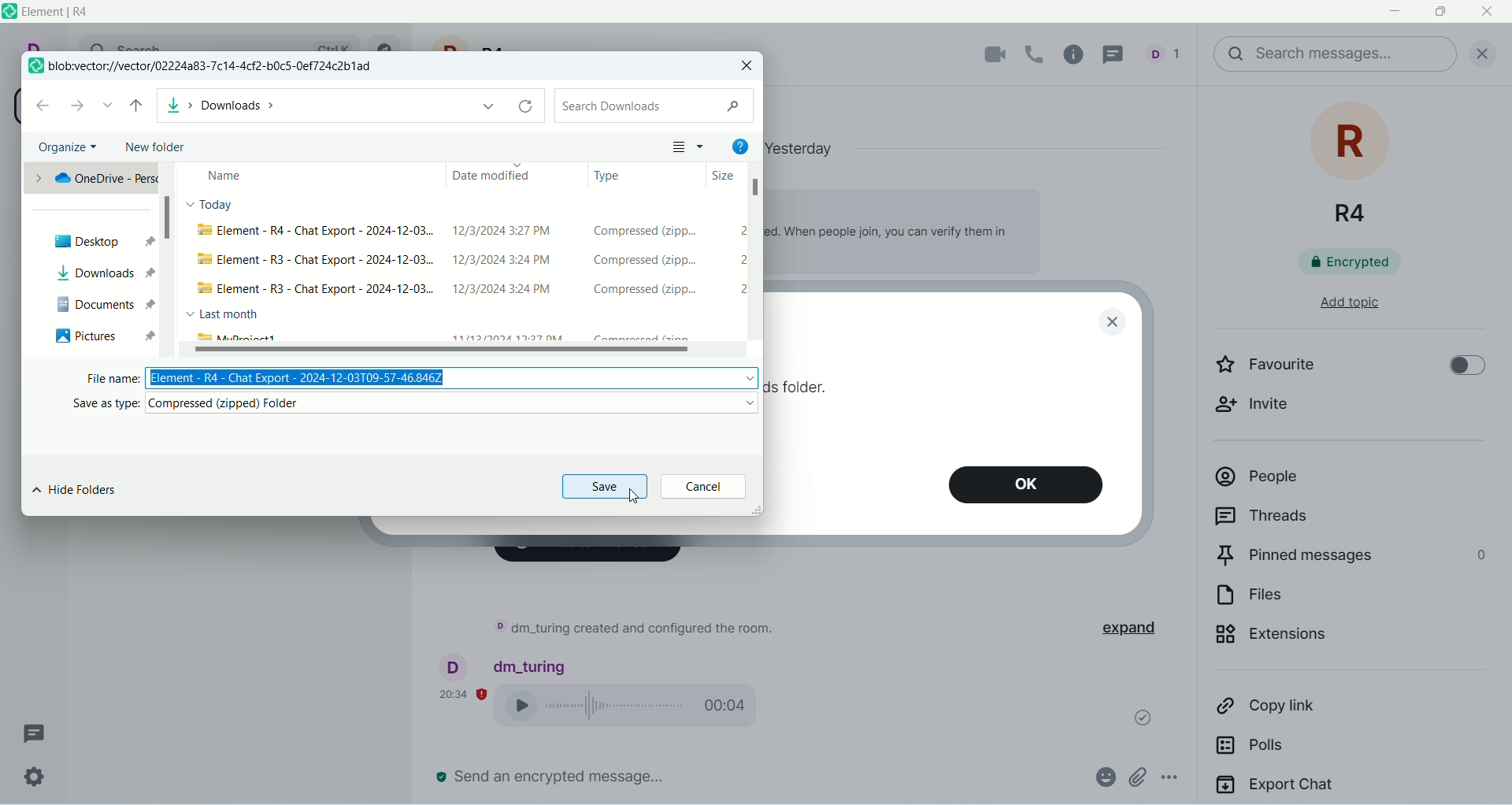 This screenshot has height=805, width=1512. Describe the element at coordinates (1321, 519) in the screenshot. I see `threads` at that location.